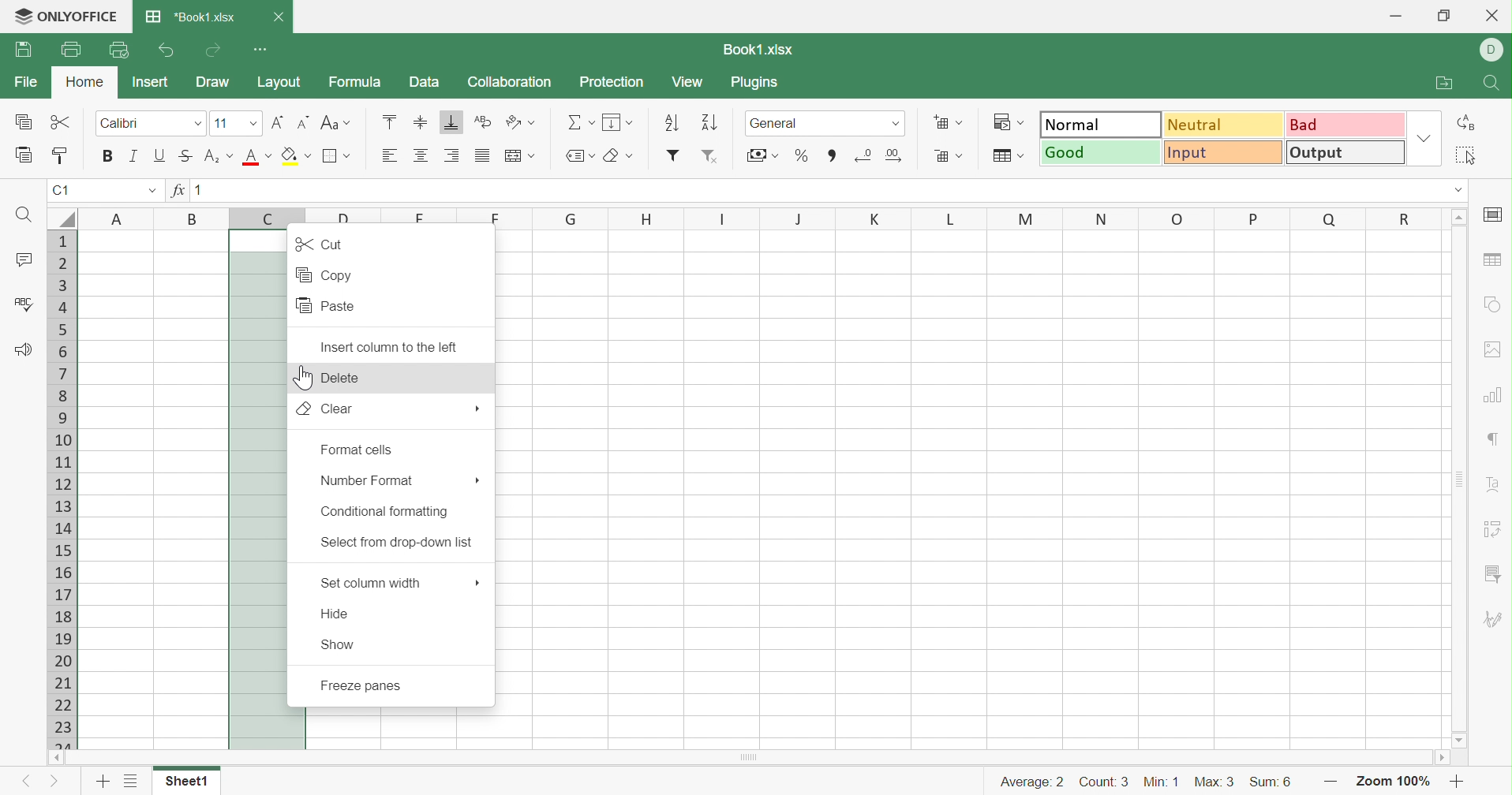 Image resolution: width=1512 pixels, height=795 pixels. Describe the element at coordinates (328, 305) in the screenshot. I see `Paste` at that location.